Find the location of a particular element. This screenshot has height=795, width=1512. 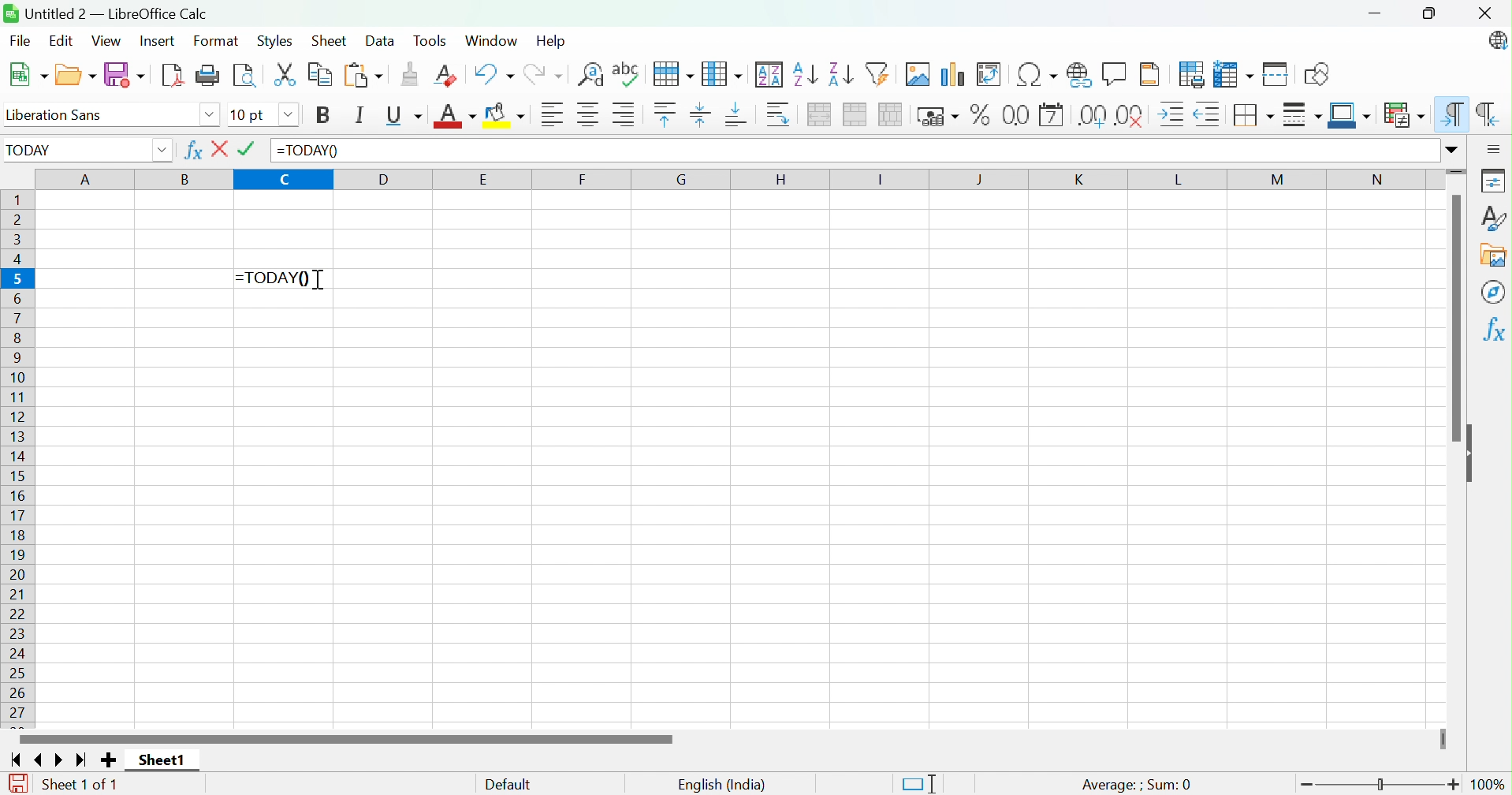

Zoom in is located at coordinates (1456, 785).